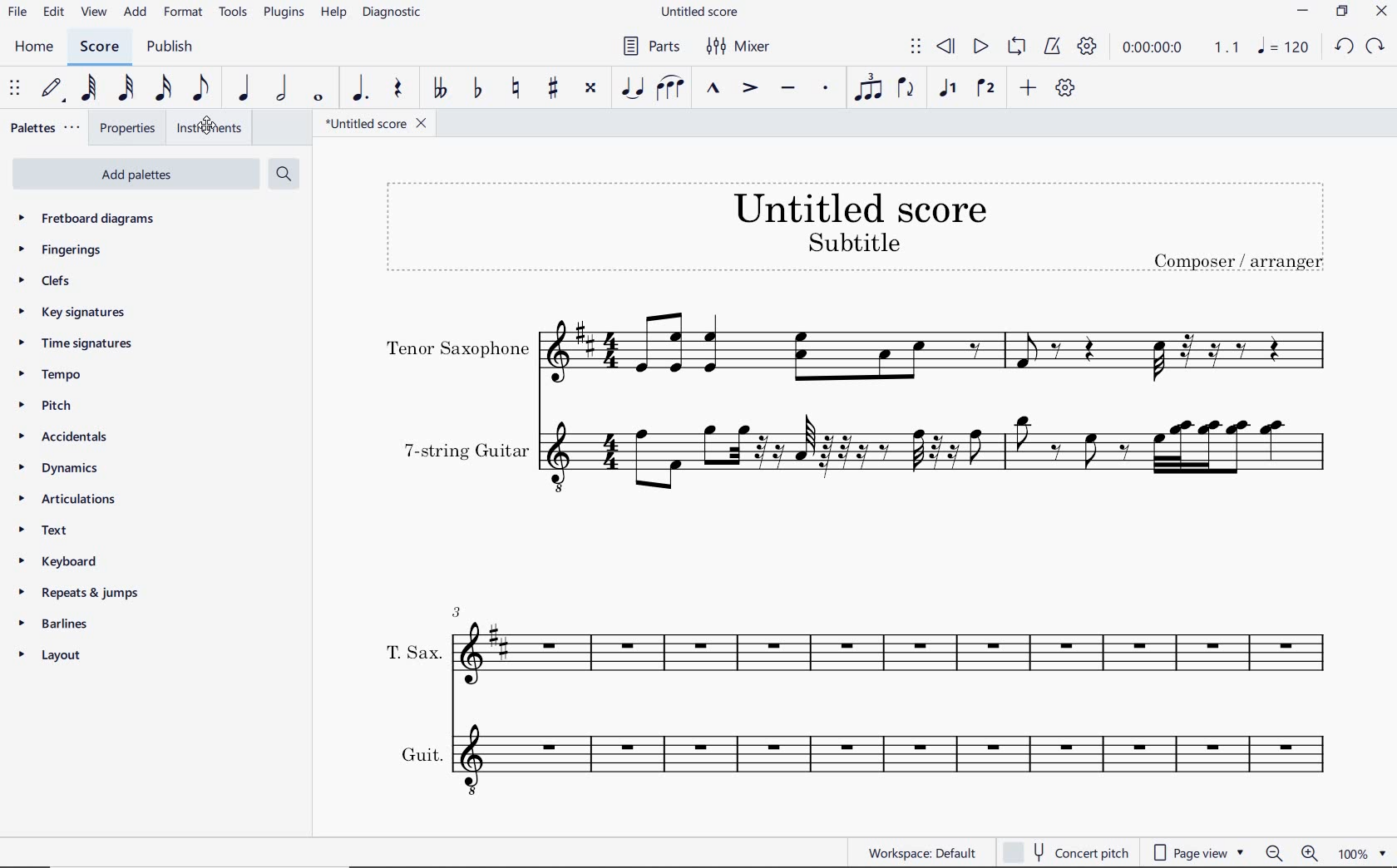  I want to click on FILE NAME, so click(698, 13).